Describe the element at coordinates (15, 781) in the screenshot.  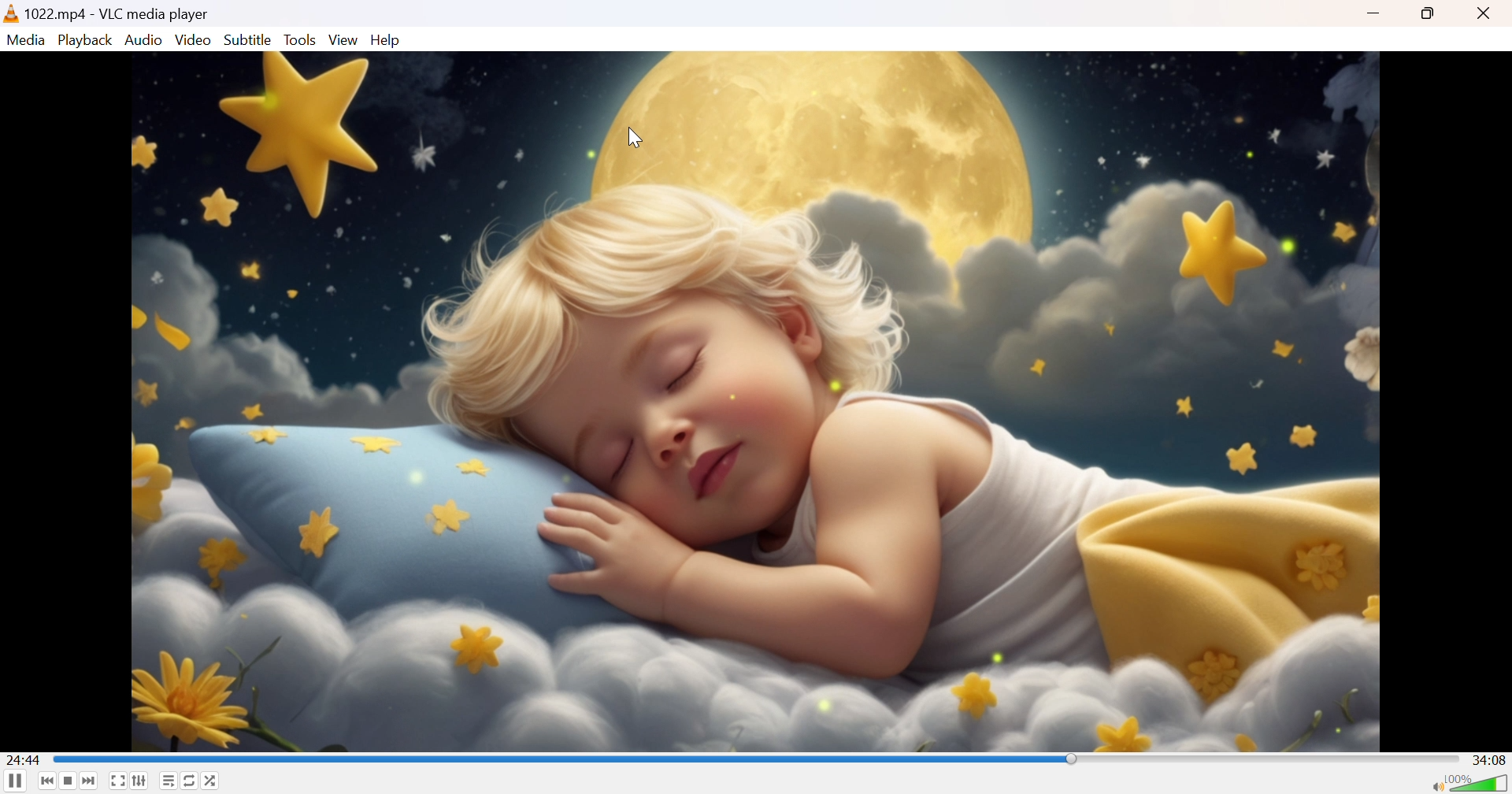
I see `Pause the playback` at that location.